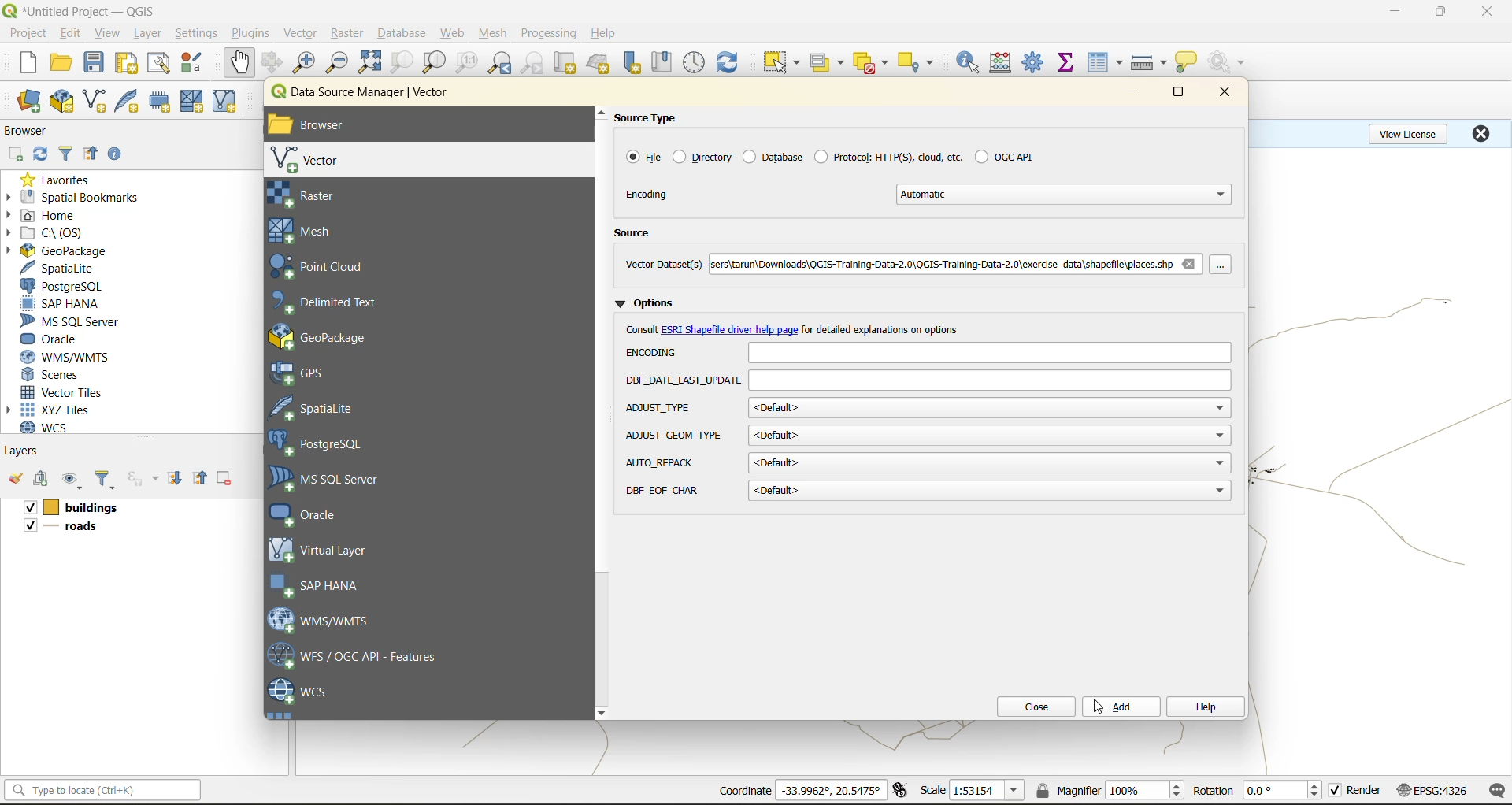  Describe the element at coordinates (695, 63) in the screenshot. I see `control panel` at that location.